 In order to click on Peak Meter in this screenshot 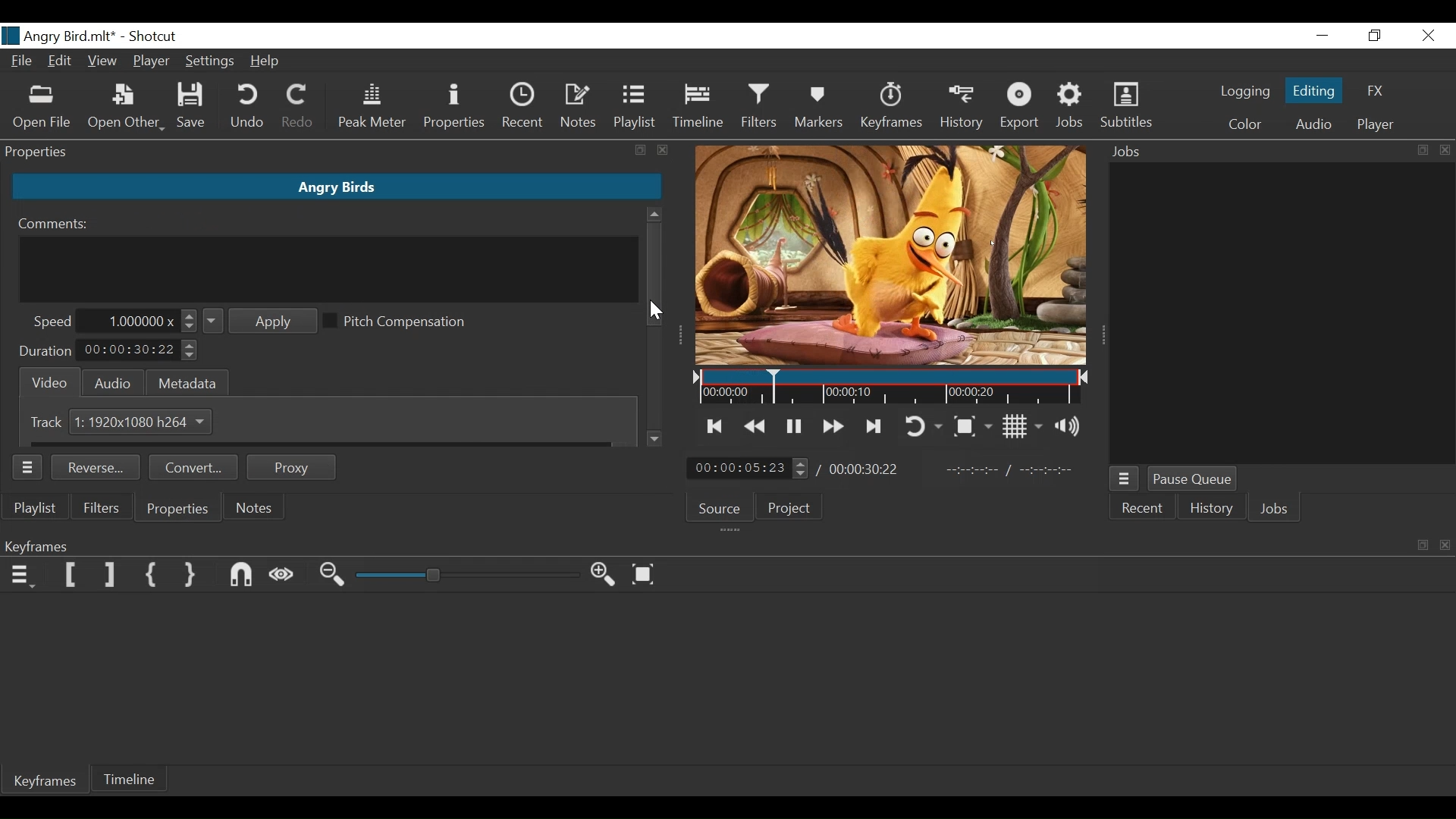, I will do `click(371, 108)`.